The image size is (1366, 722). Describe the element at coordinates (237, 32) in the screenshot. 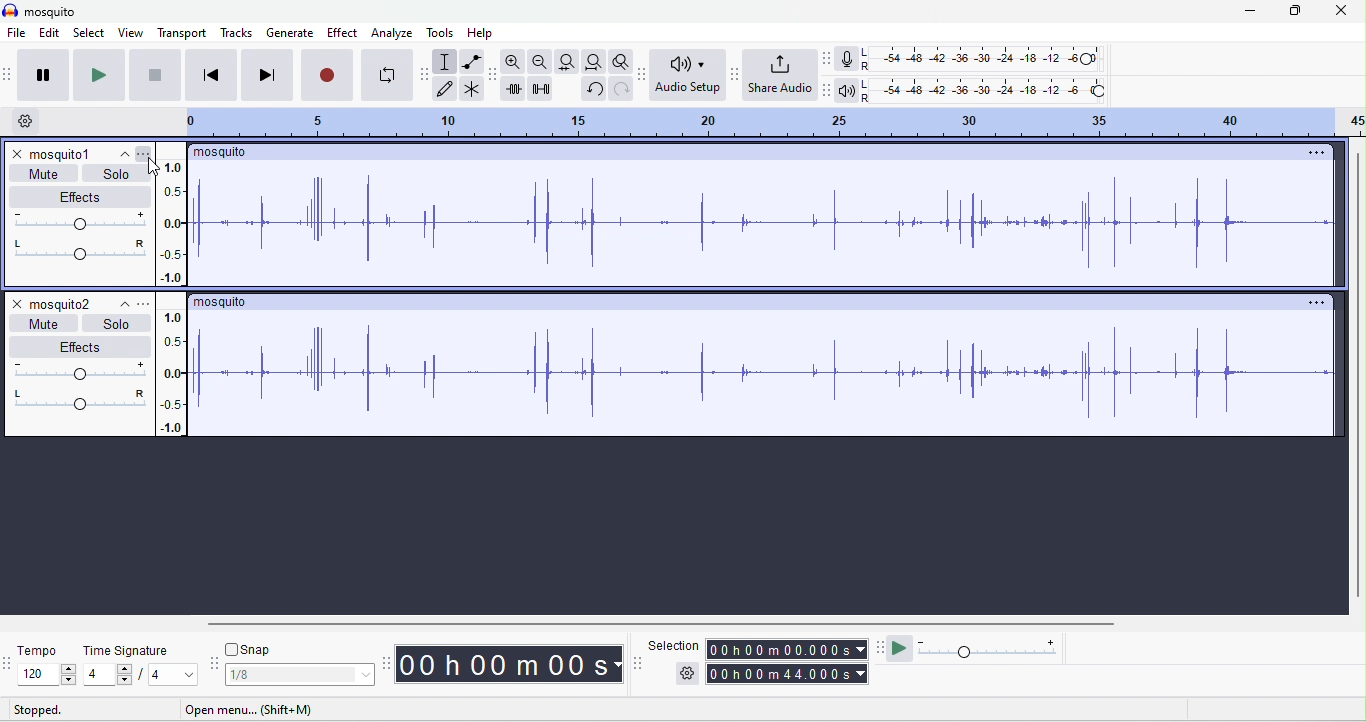

I see `tracks` at that location.